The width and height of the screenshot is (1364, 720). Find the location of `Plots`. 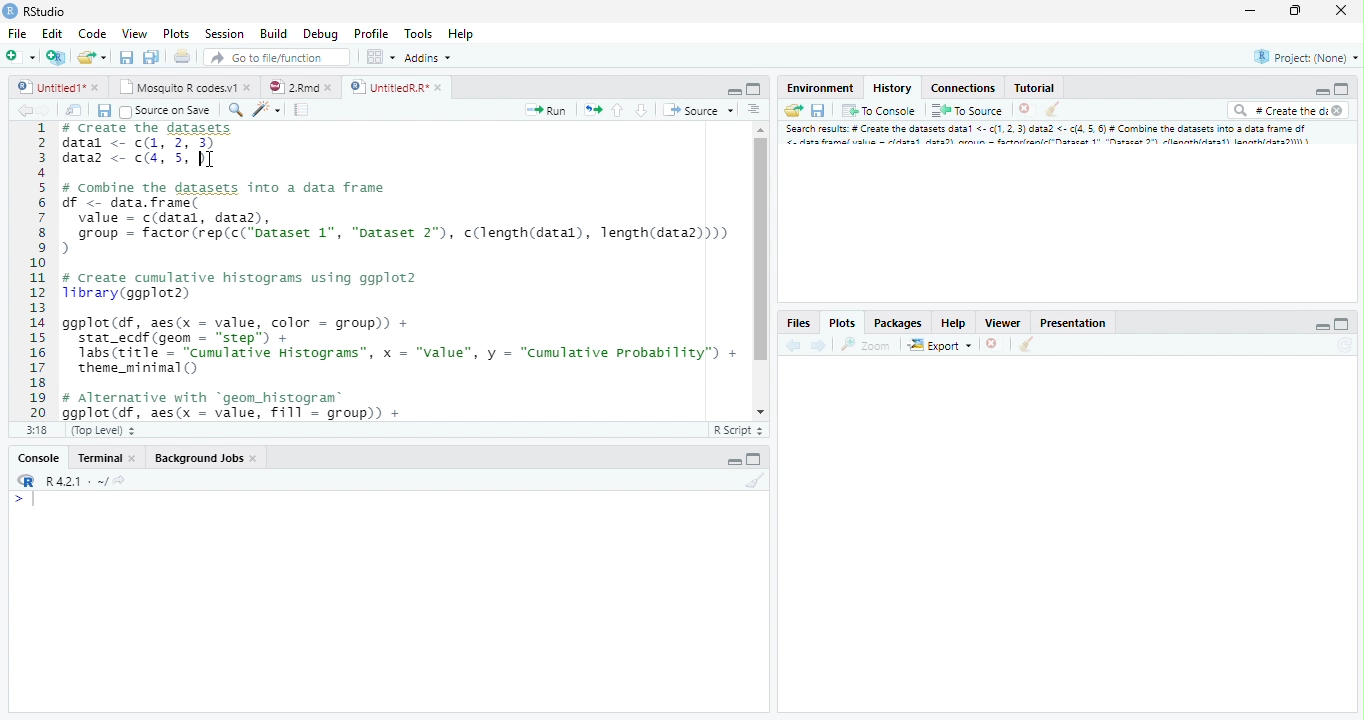

Plots is located at coordinates (841, 322).